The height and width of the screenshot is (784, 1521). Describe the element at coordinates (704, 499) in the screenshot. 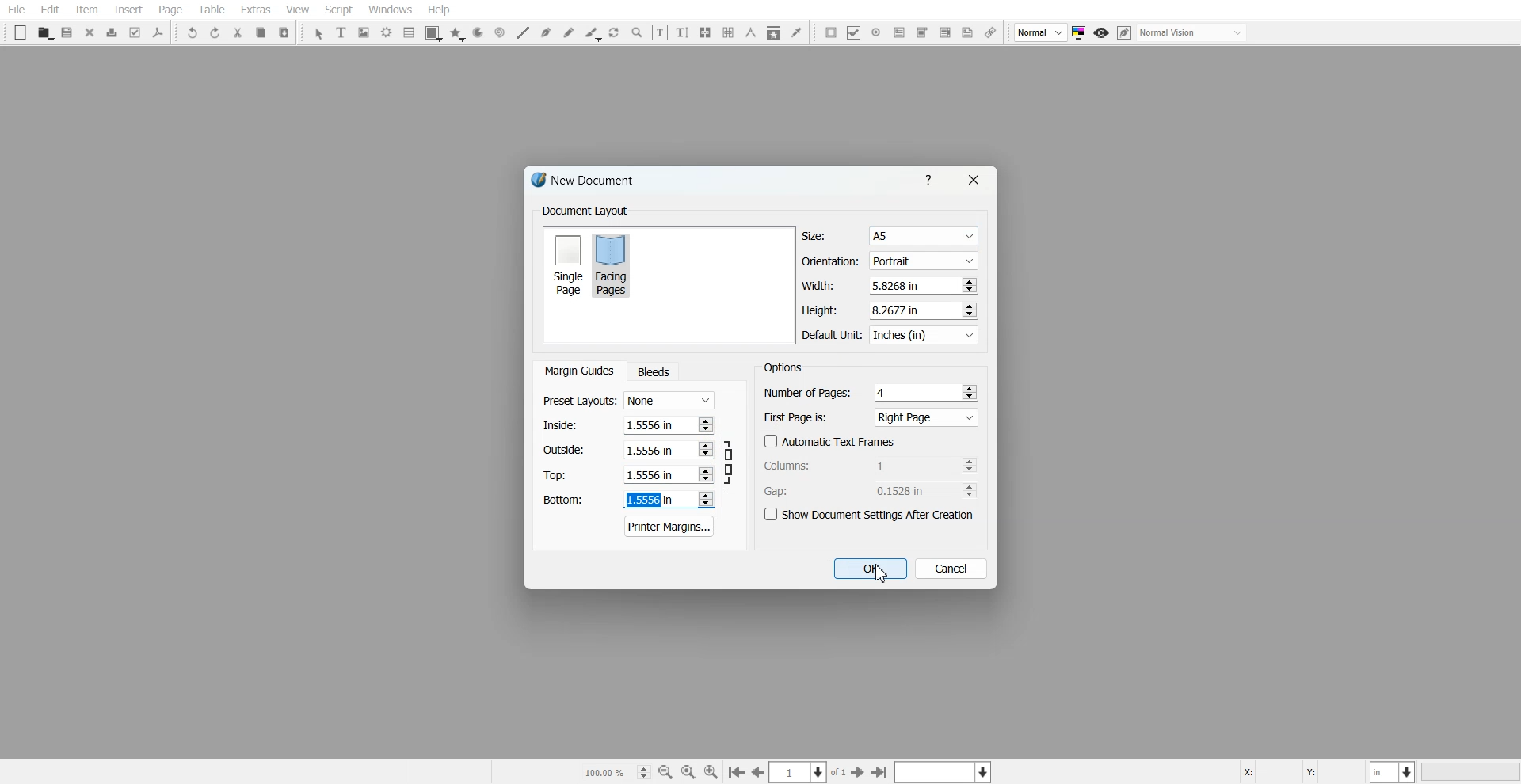

I see `Increase and decrease No. ` at that location.